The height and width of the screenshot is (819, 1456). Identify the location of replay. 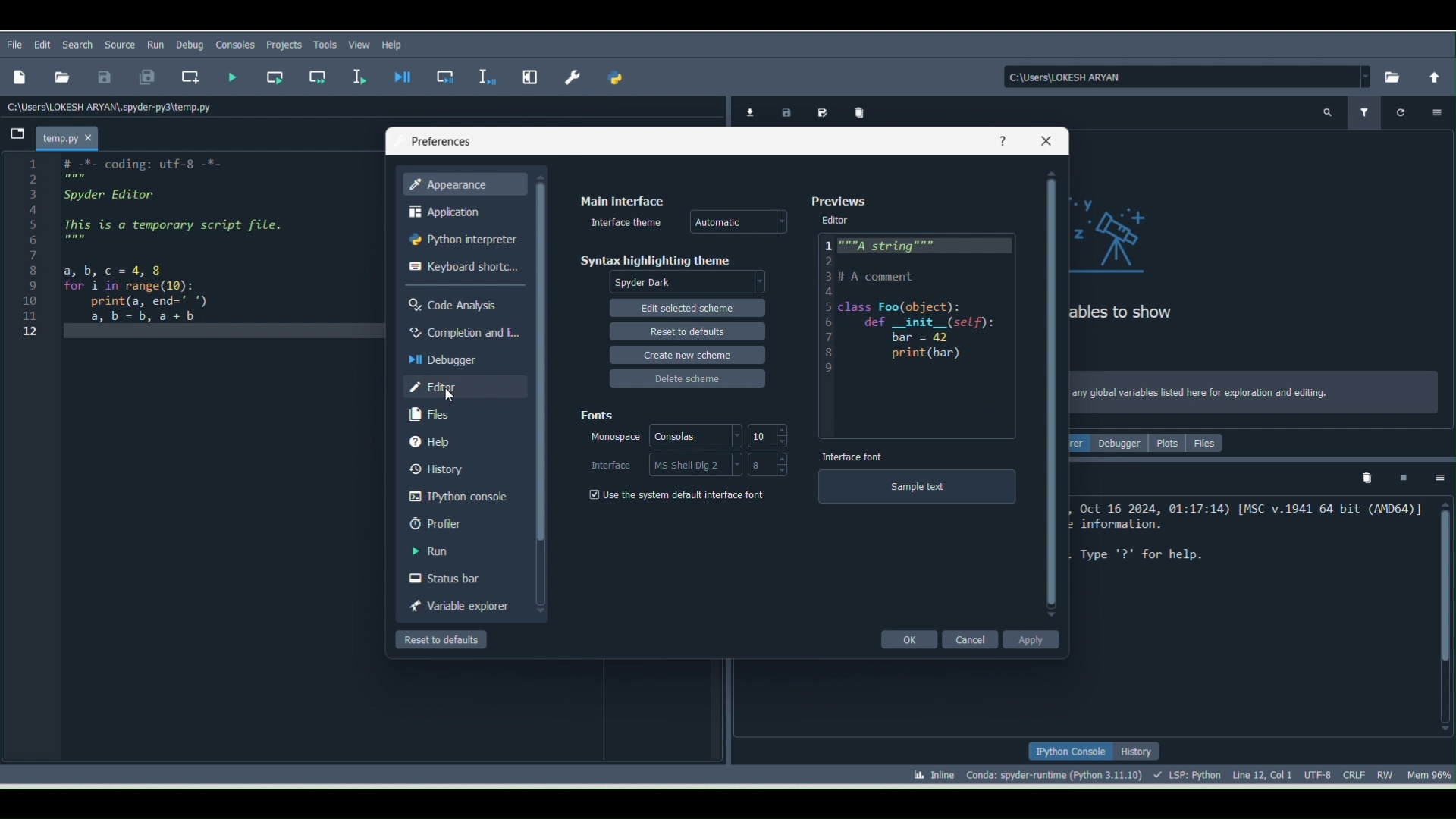
(1407, 108).